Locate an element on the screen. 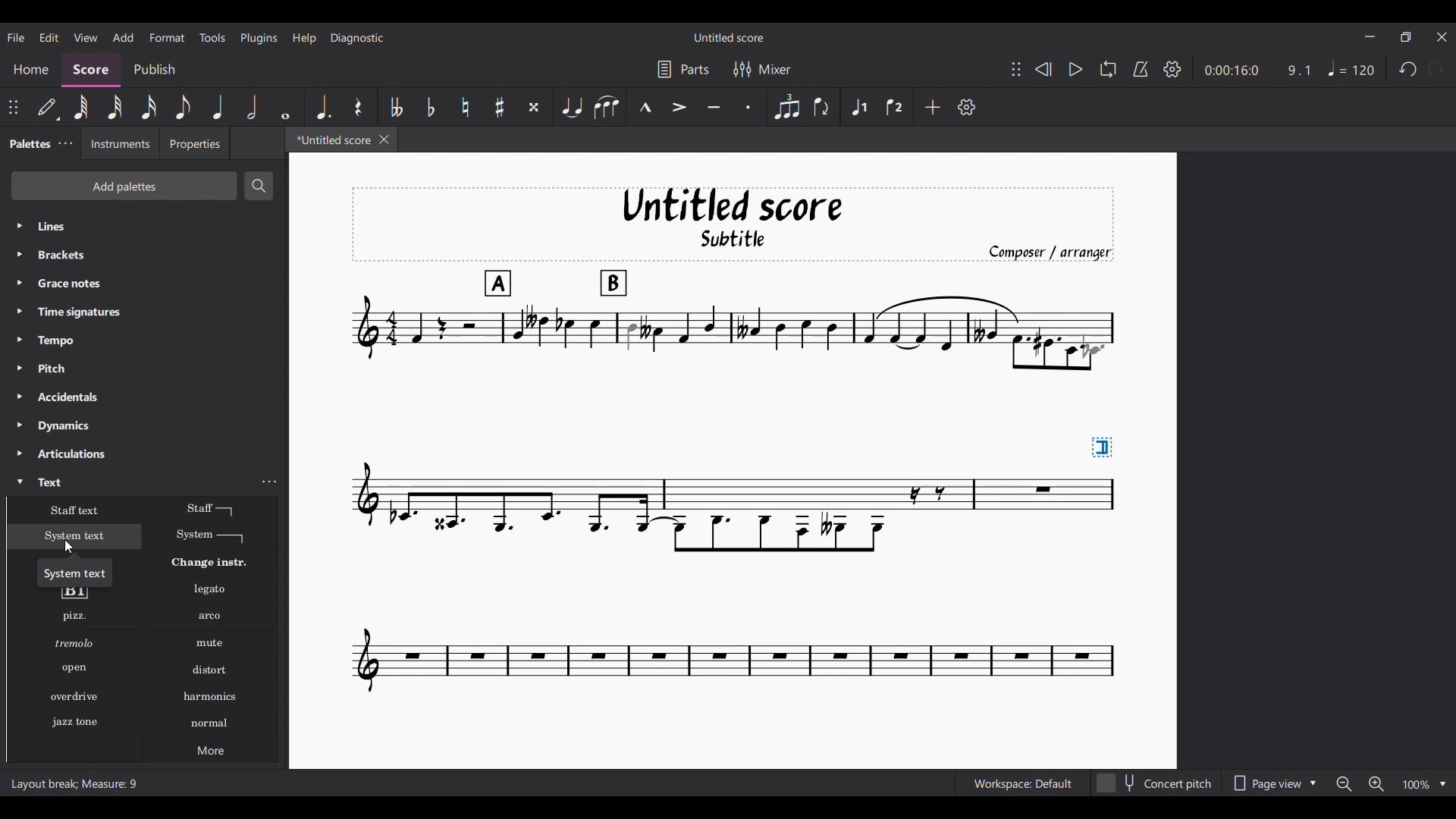 The width and height of the screenshot is (1456, 819). Arko is located at coordinates (210, 617).